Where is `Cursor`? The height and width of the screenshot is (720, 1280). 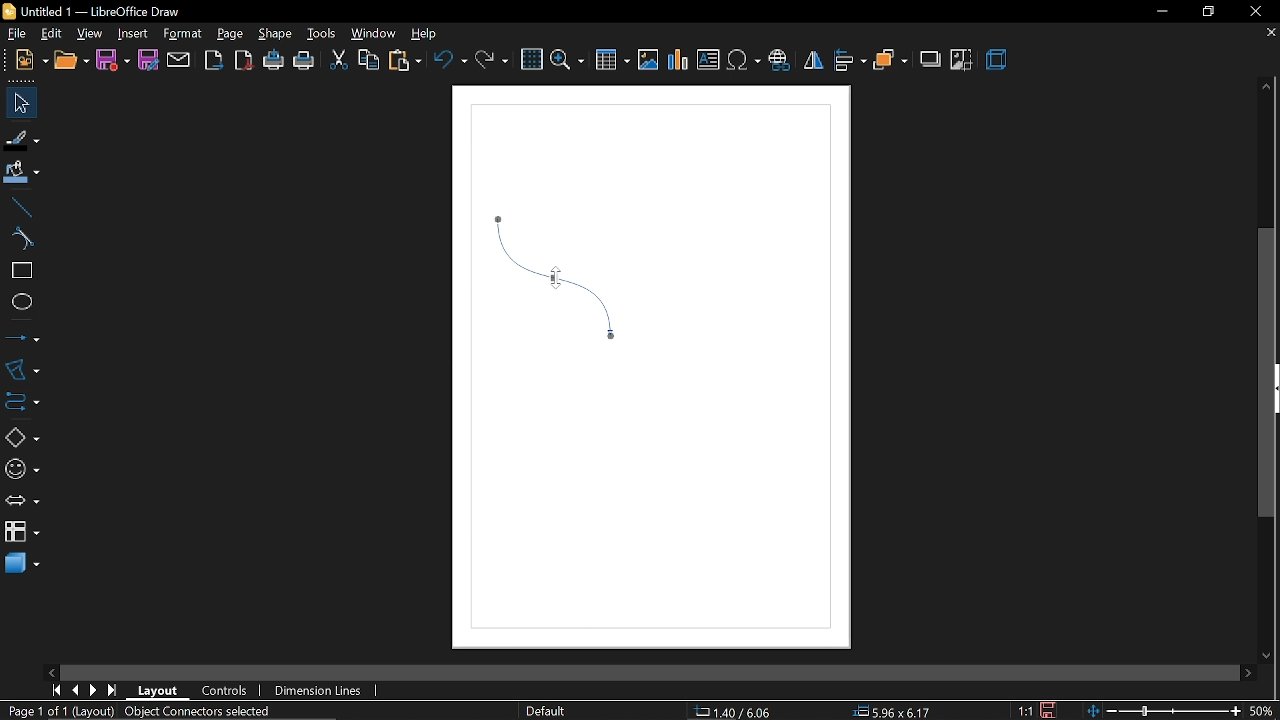 Cursor is located at coordinates (551, 278).